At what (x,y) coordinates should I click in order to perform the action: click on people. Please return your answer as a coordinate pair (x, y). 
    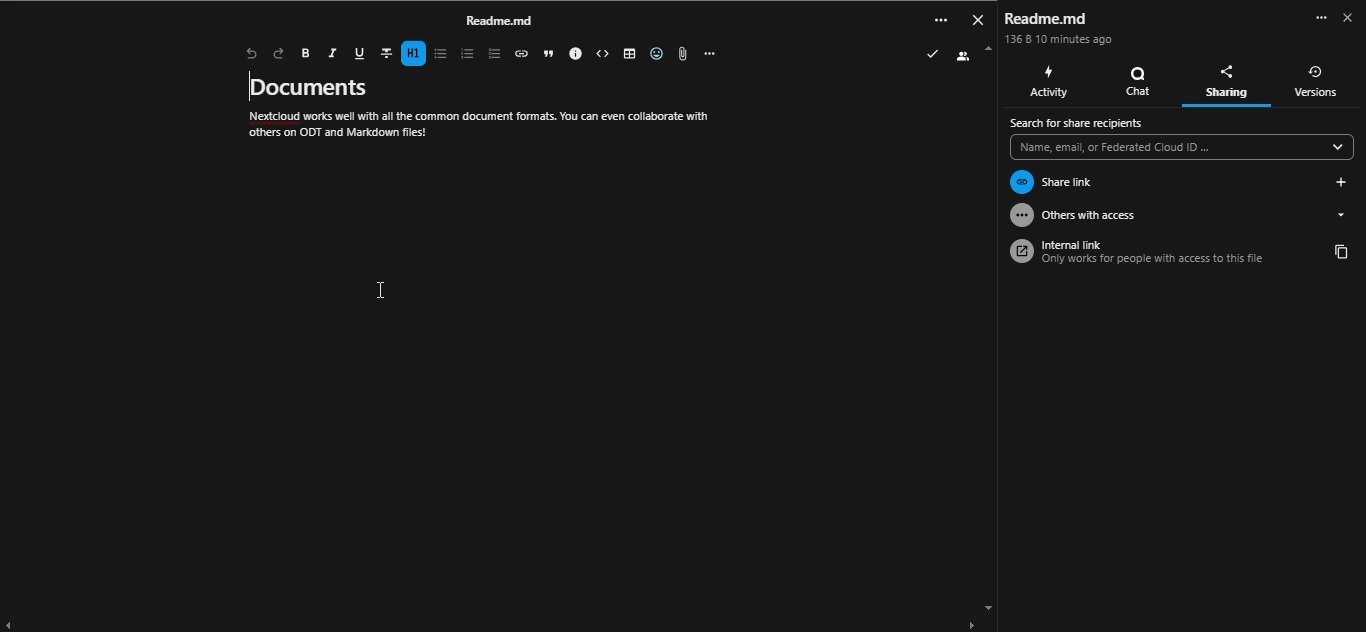
    Looking at the image, I should click on (964, 54).